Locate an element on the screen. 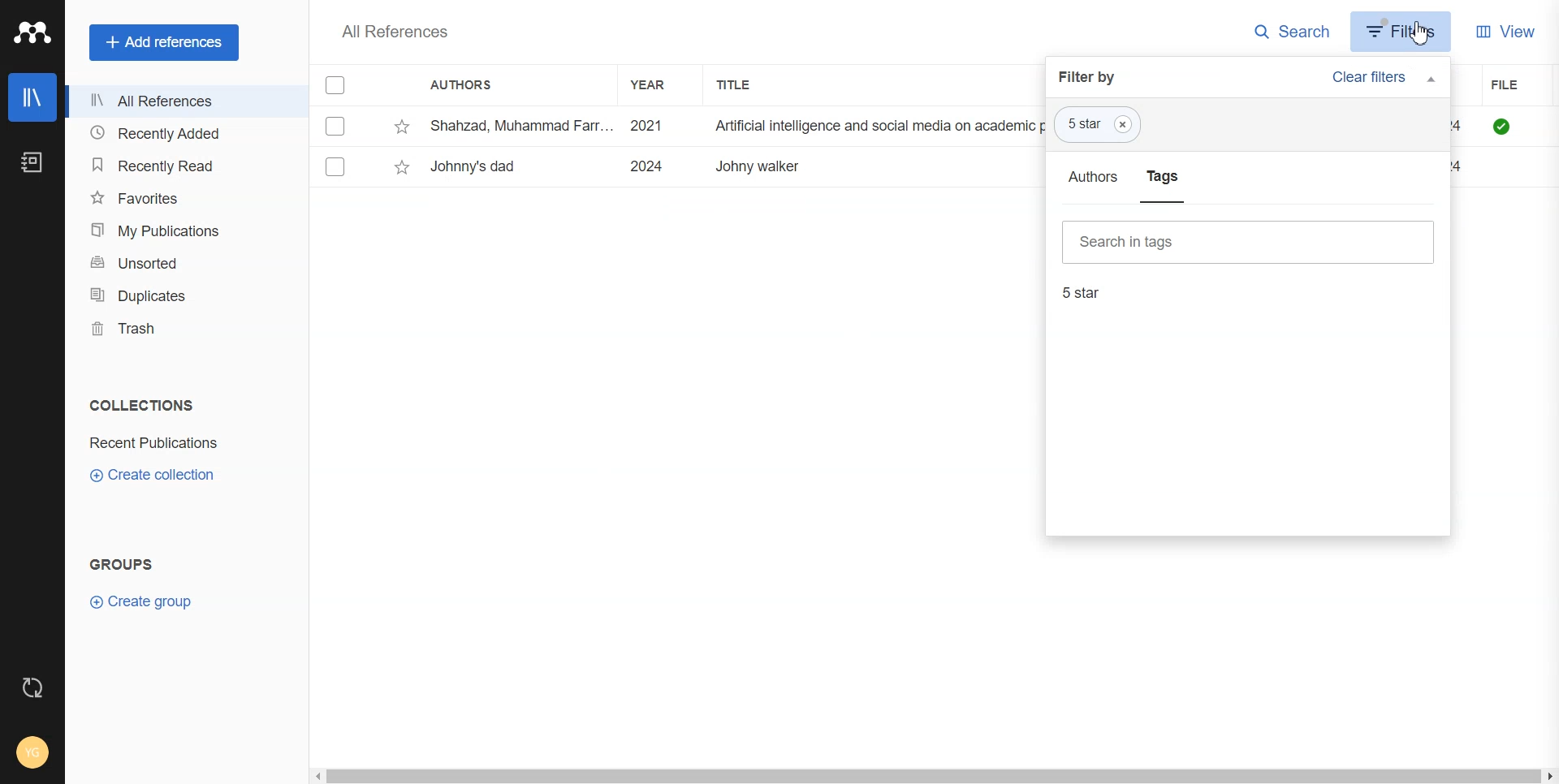 This screenshot has height=784, width=1559. Cursor is located at coordinates (1423, 33).